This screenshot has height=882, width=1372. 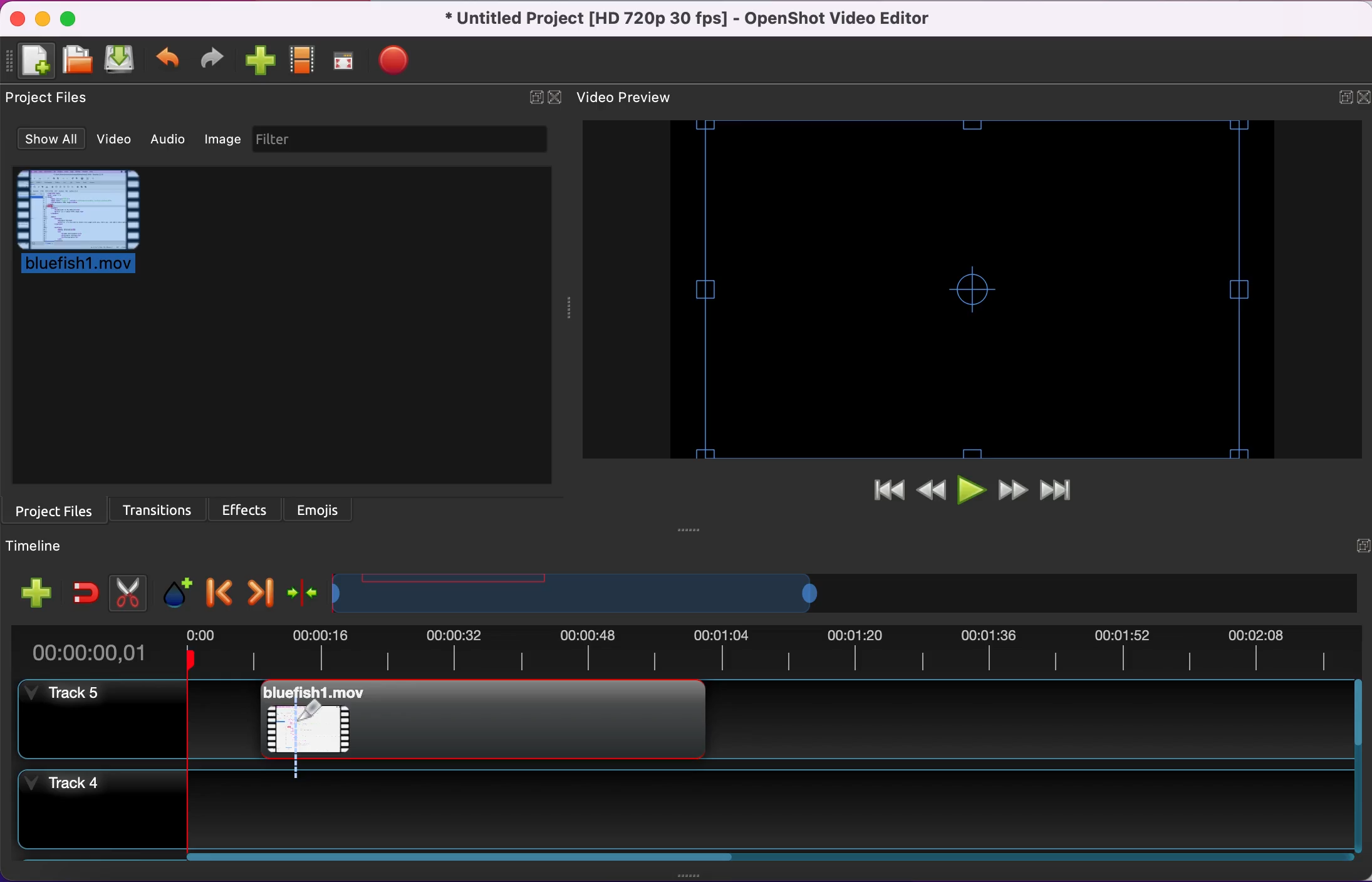 What do you see at coordinates (86, 227) in the screenshot?
I see `file selected` at bounding box center [86, 227].